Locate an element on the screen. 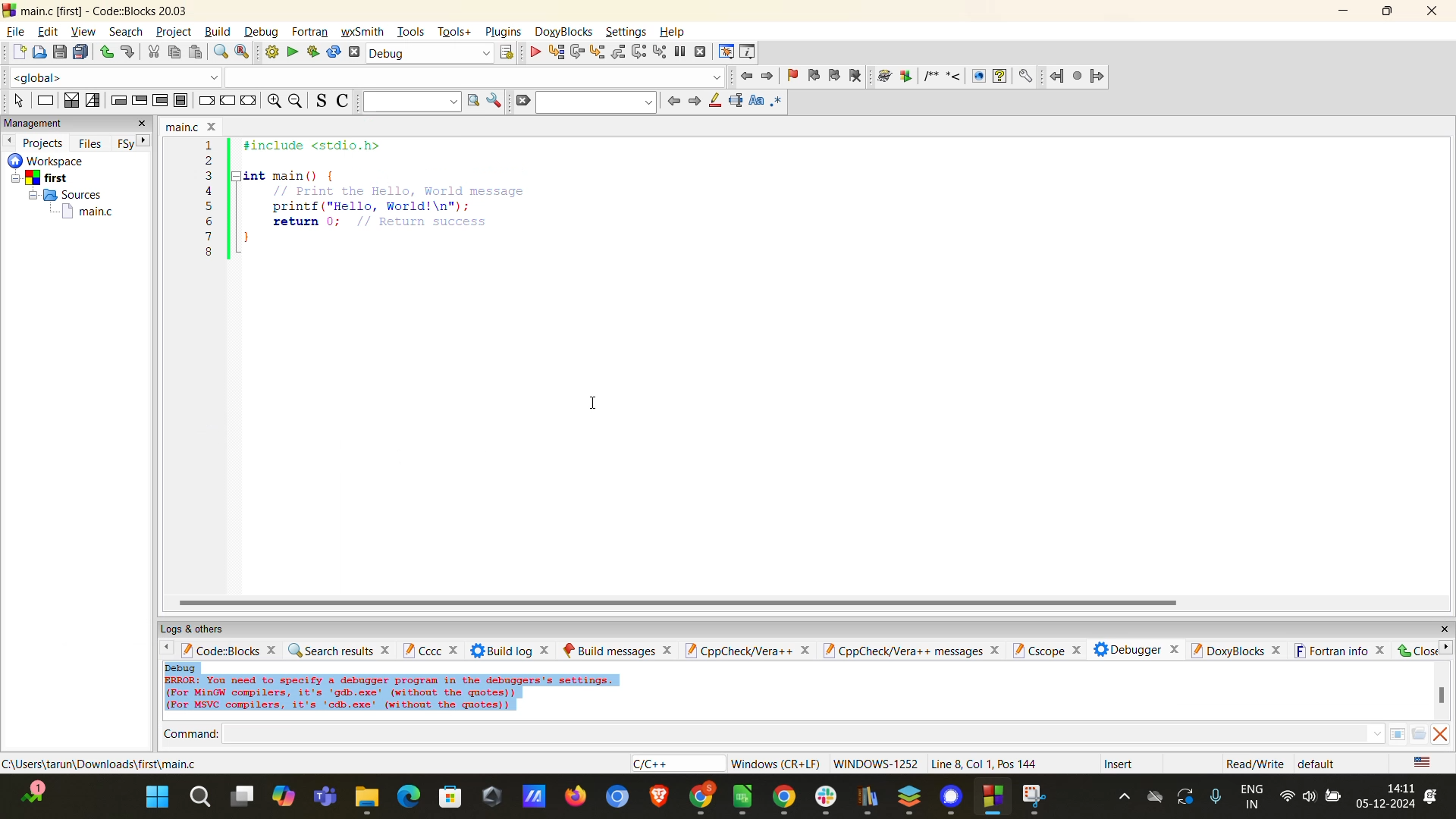  multiple screen is located at coordinates (241, 796).